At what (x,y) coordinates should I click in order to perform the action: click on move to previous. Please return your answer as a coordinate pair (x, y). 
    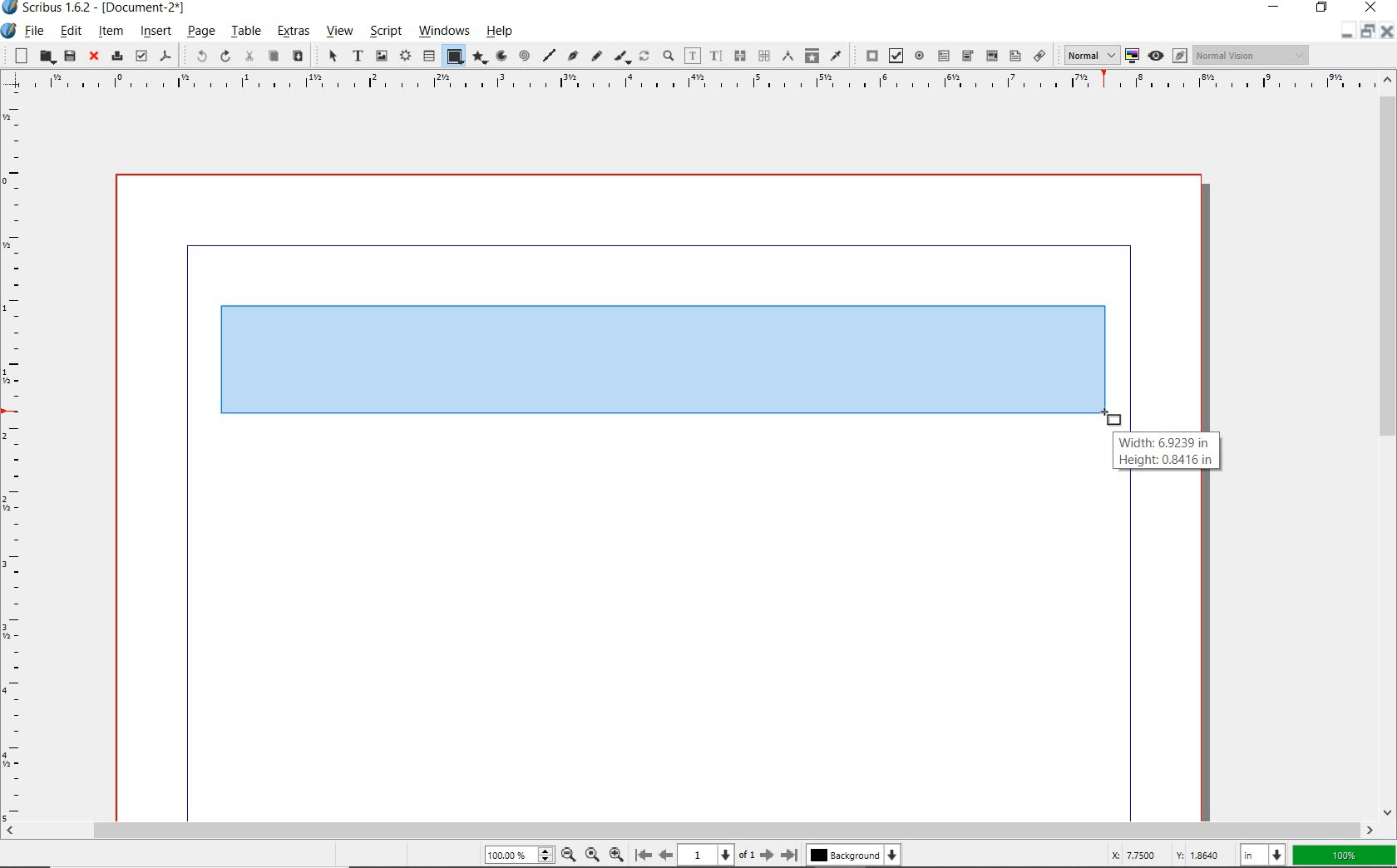
    Looking at the image, I should click on (665, 853).